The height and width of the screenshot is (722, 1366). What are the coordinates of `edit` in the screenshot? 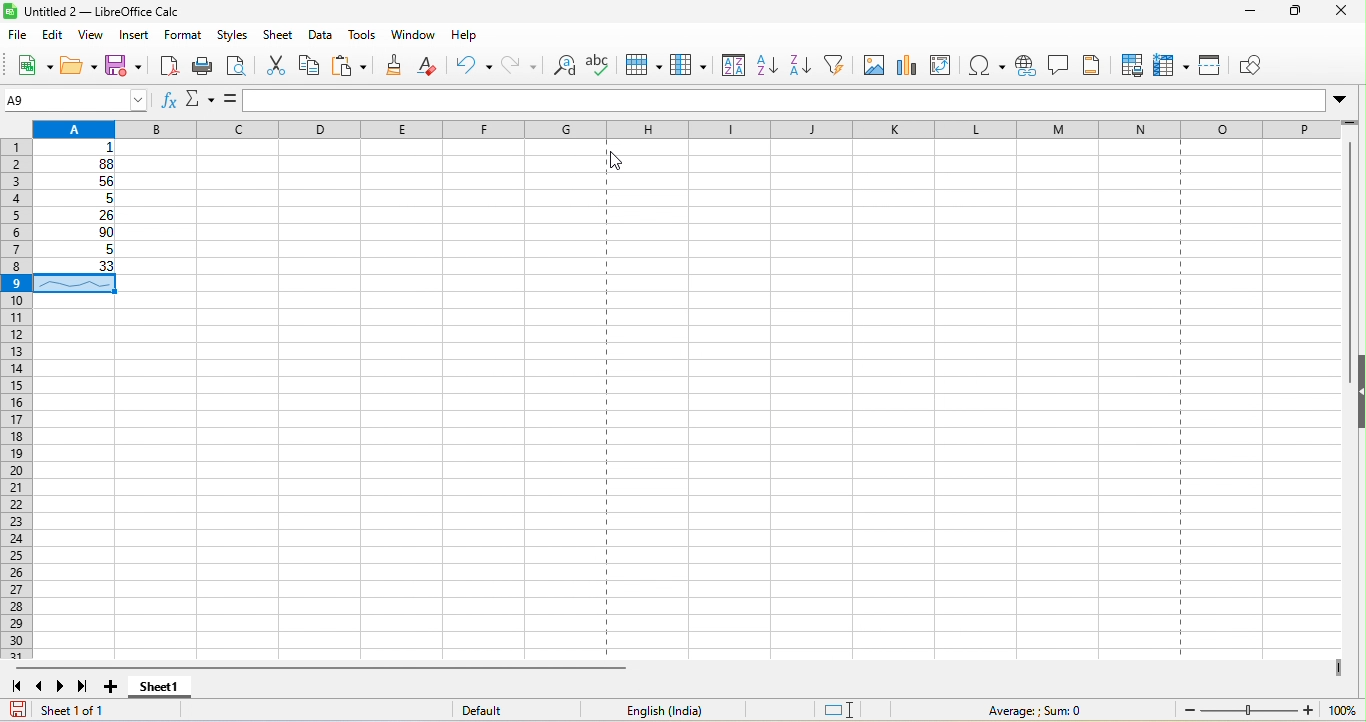 It's located at (55, 34).